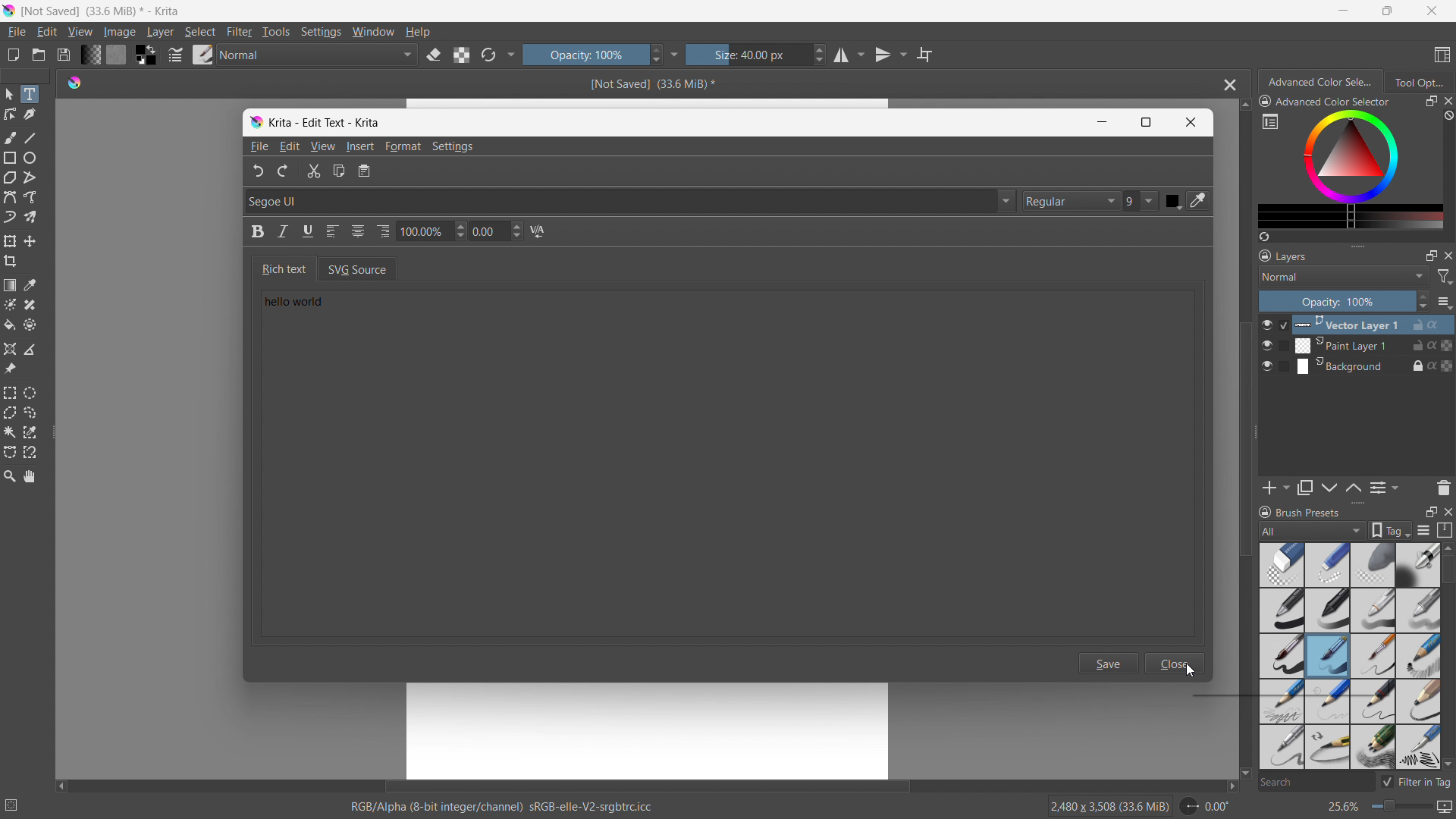 The image size is (1456, 819). What do you see at coordinates (74, 81) in the screenshot?
I see `logo` at bounding box center [74, 81].